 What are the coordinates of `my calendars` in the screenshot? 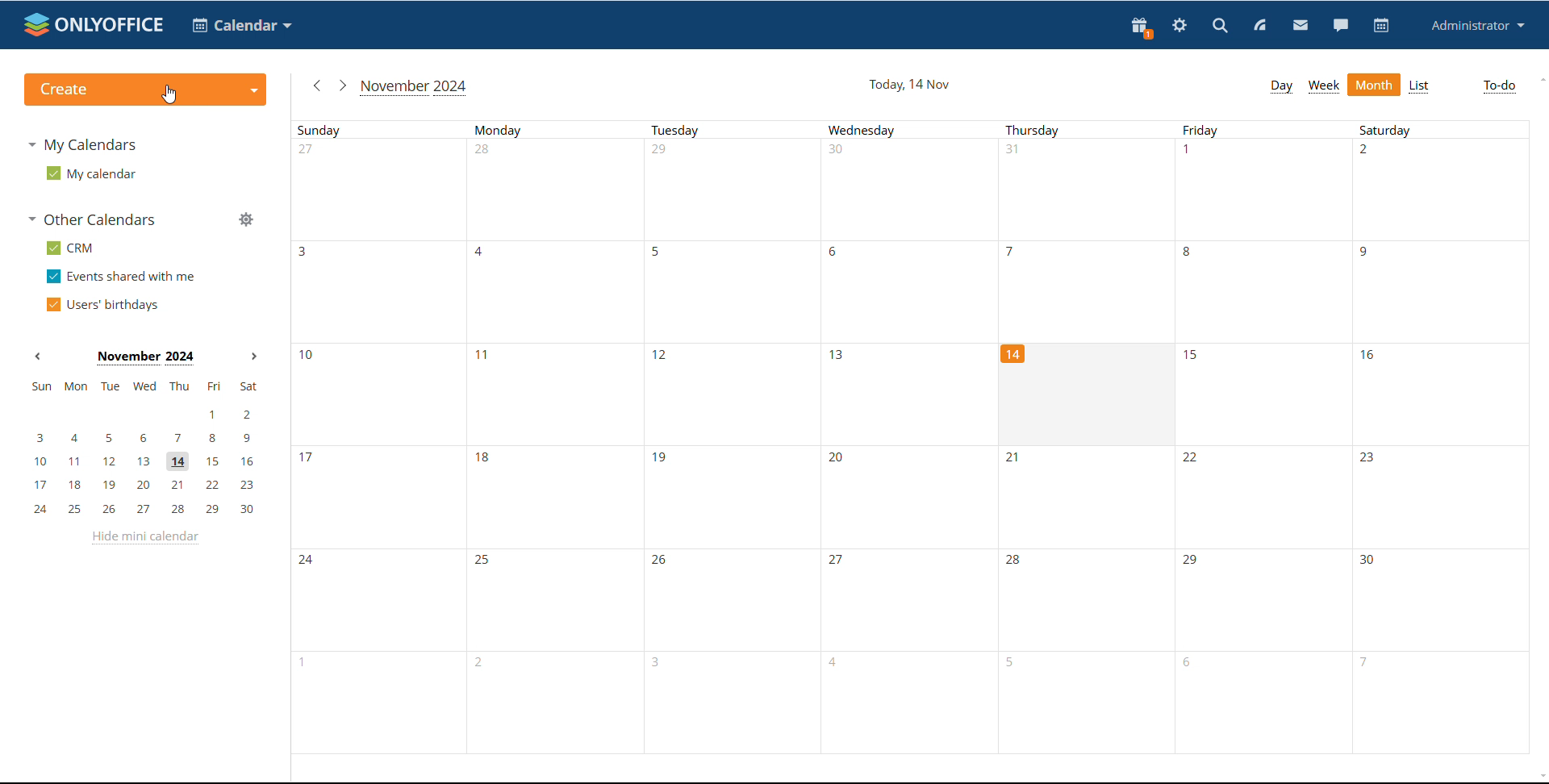 It's located at (81, 144).